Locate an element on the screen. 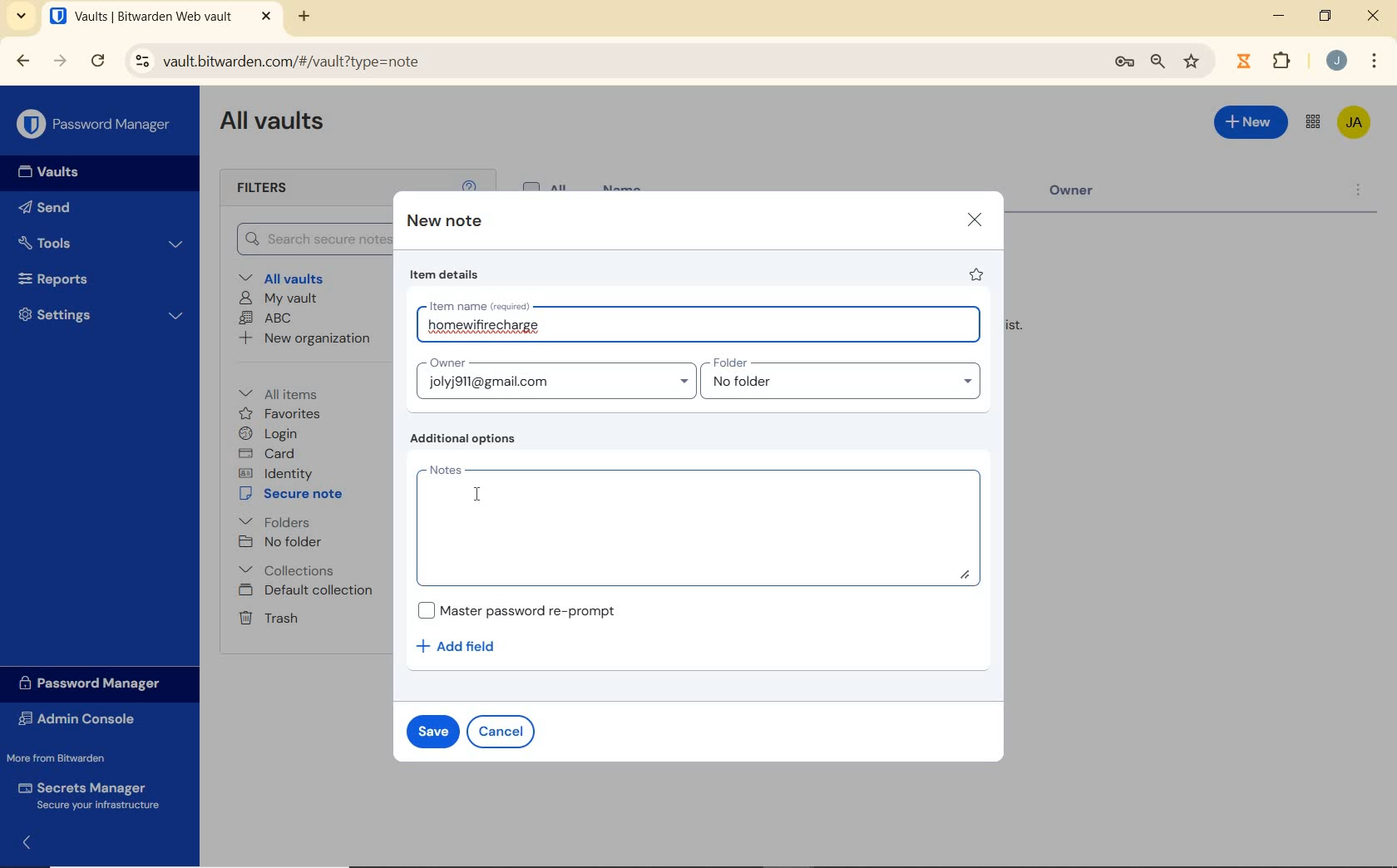 The image size is (1397, 868). card is located at coordinates (269, 453).